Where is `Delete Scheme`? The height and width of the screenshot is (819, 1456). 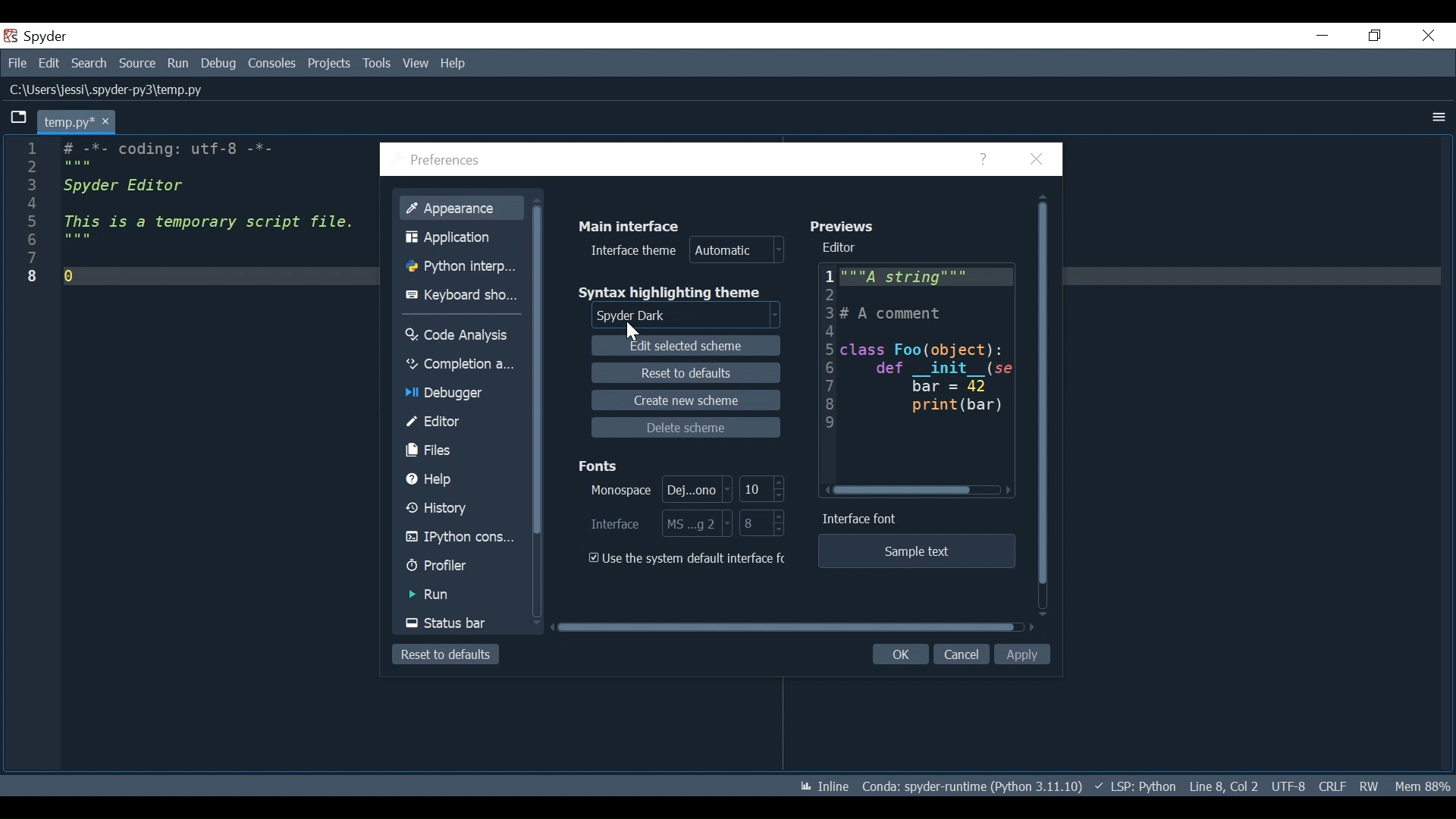
Delete Scheme is located at coordinates (688, 428).